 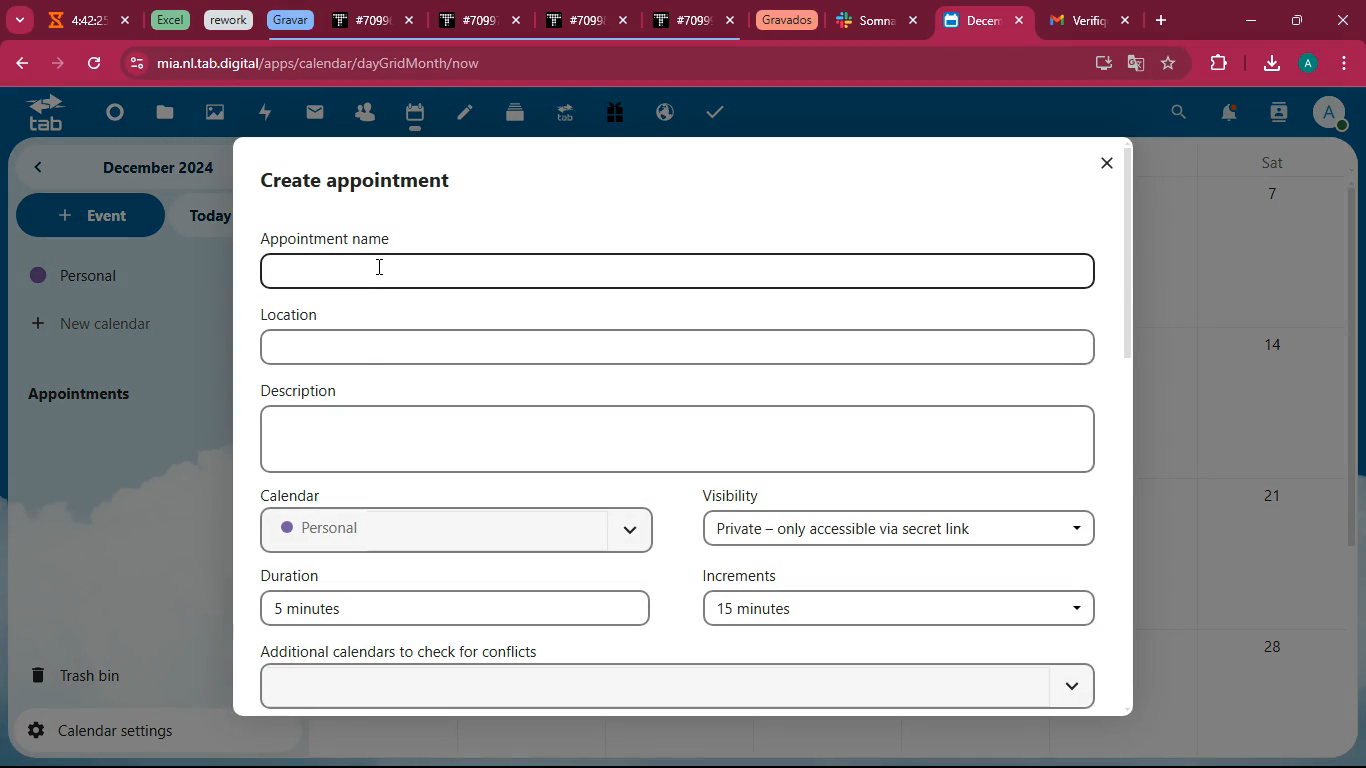 What do you see at coordinates (411, 23) in the screenshot?
I see `close` at bounding box center [411, 23].